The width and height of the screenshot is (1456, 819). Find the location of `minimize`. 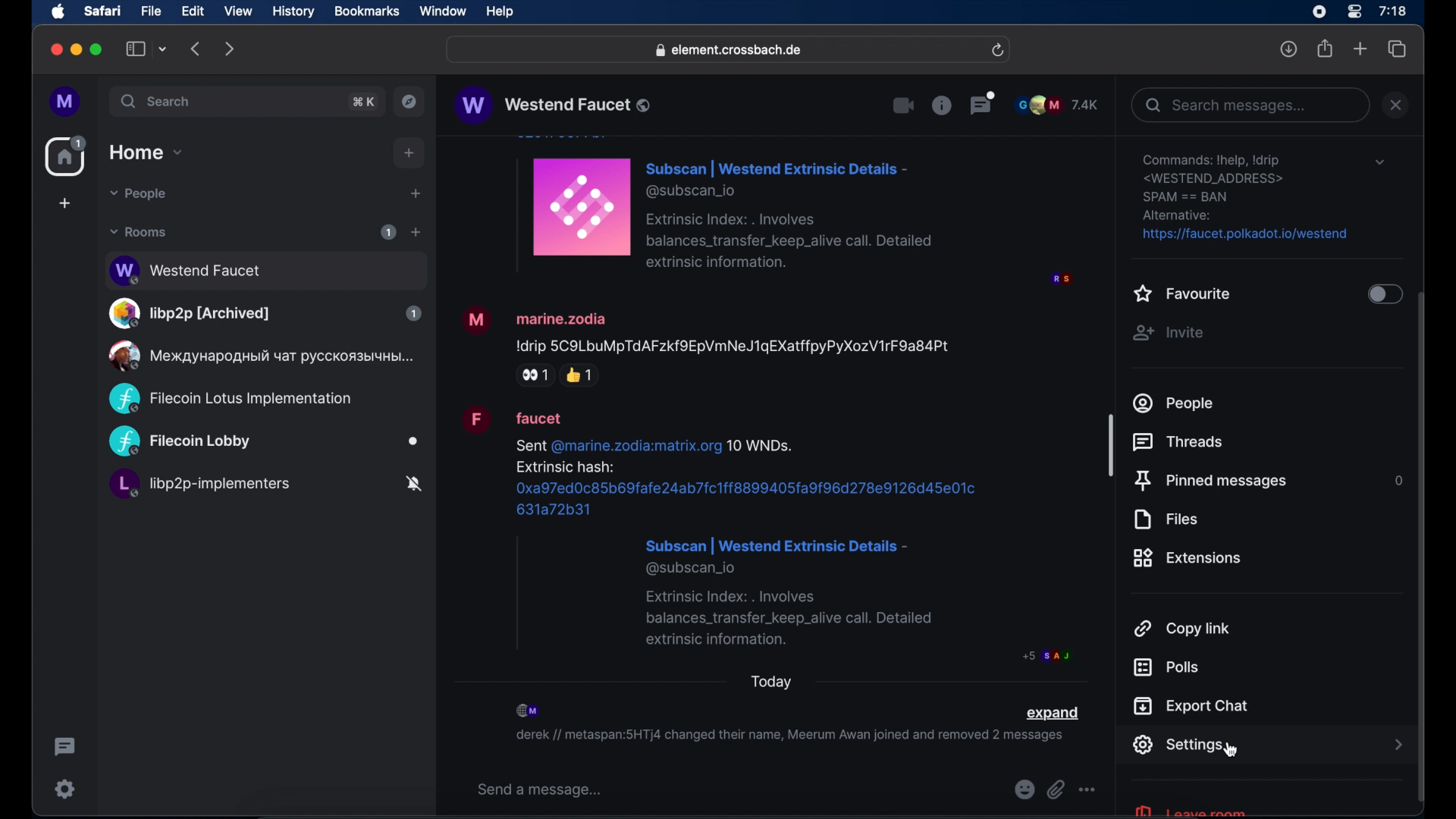

minimize is located at coordinates (77, 49).